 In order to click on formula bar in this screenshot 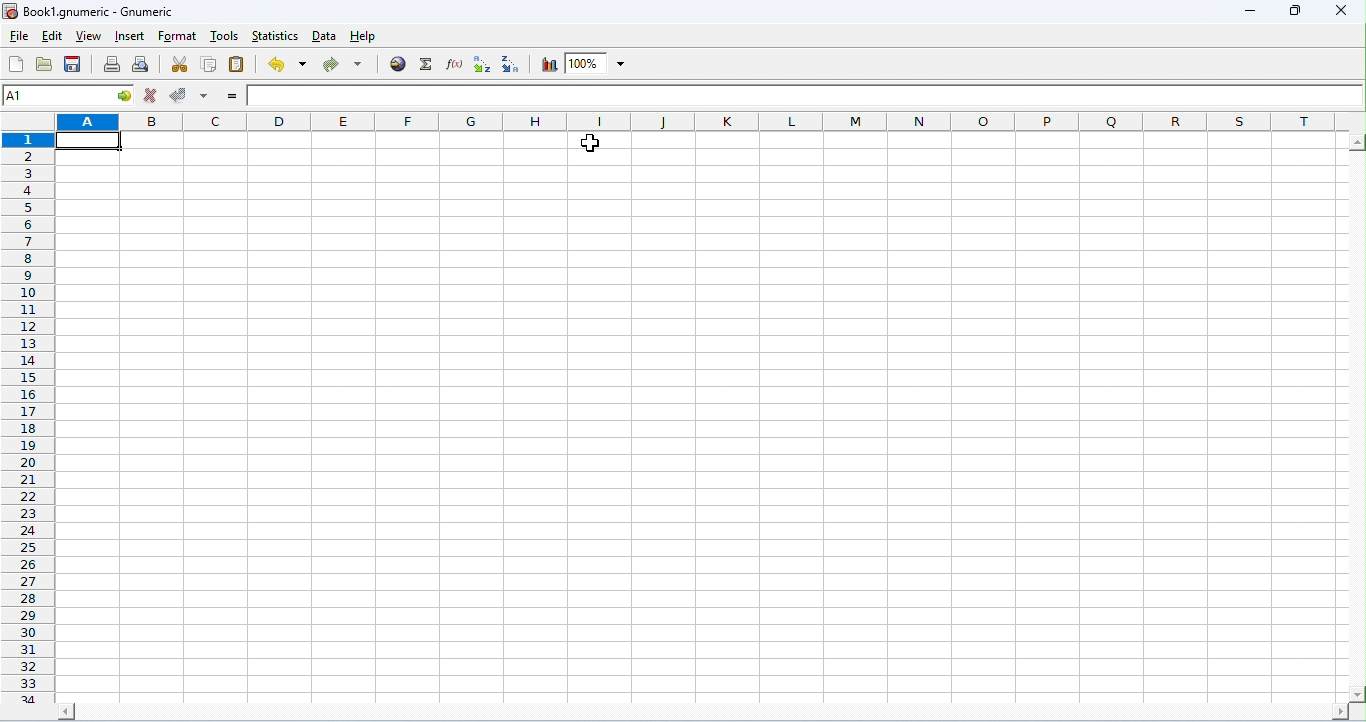, I will do `click(803, 95)`.